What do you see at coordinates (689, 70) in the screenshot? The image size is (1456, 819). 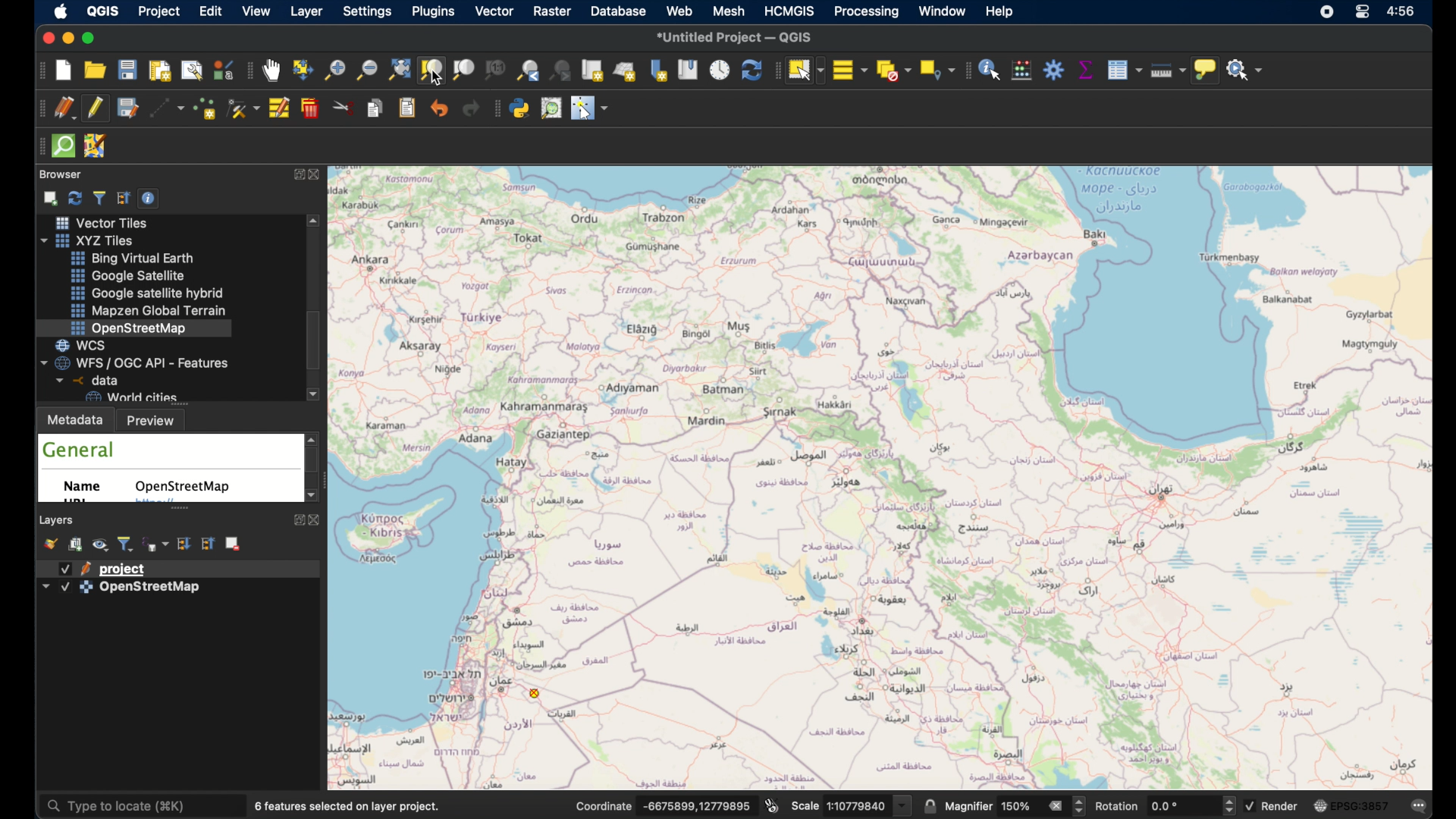 I see `show spatial bookmarks` at bounding box center [689, 70].